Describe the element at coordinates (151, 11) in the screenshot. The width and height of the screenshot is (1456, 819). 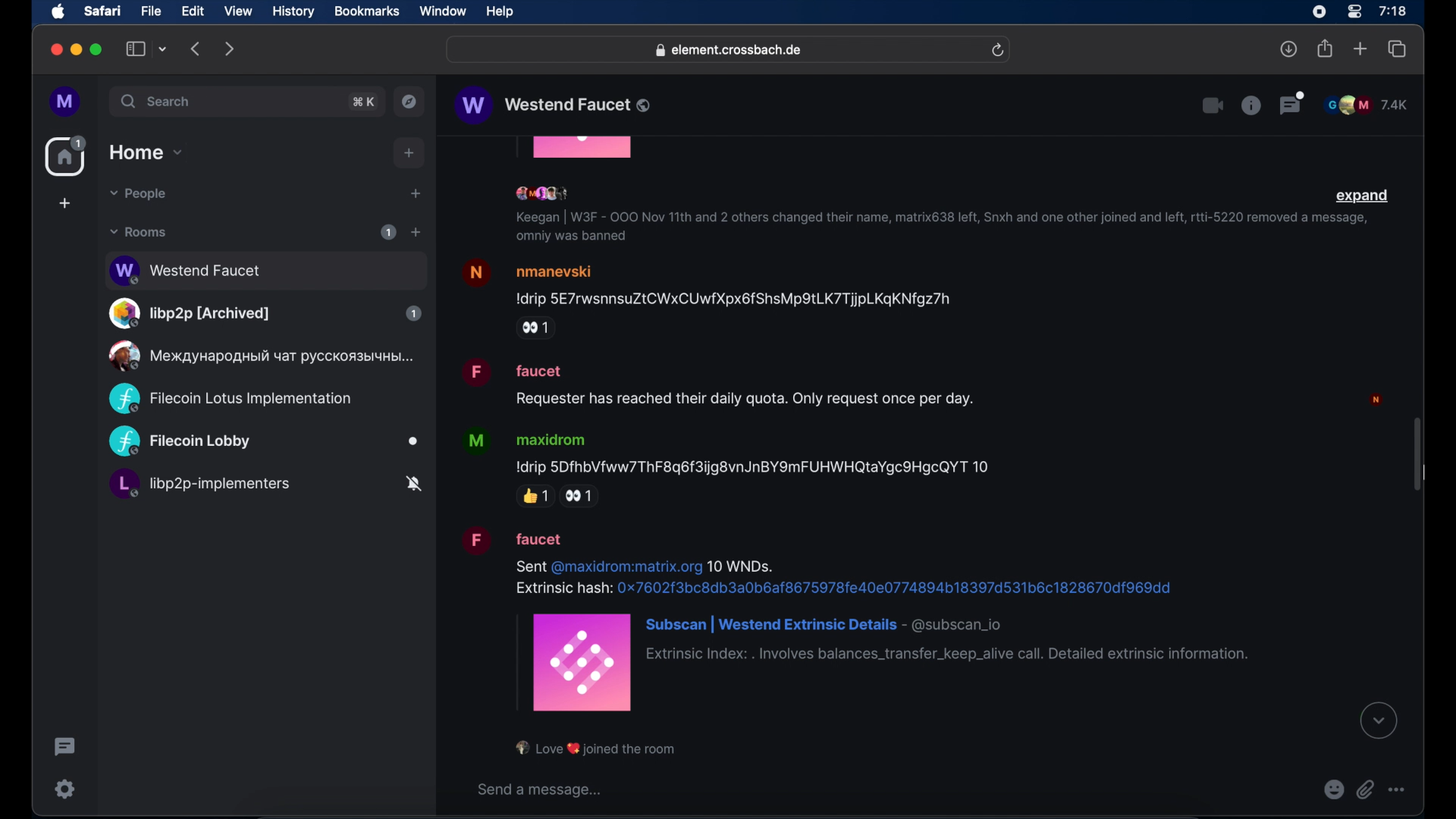
I see `file` at that location.